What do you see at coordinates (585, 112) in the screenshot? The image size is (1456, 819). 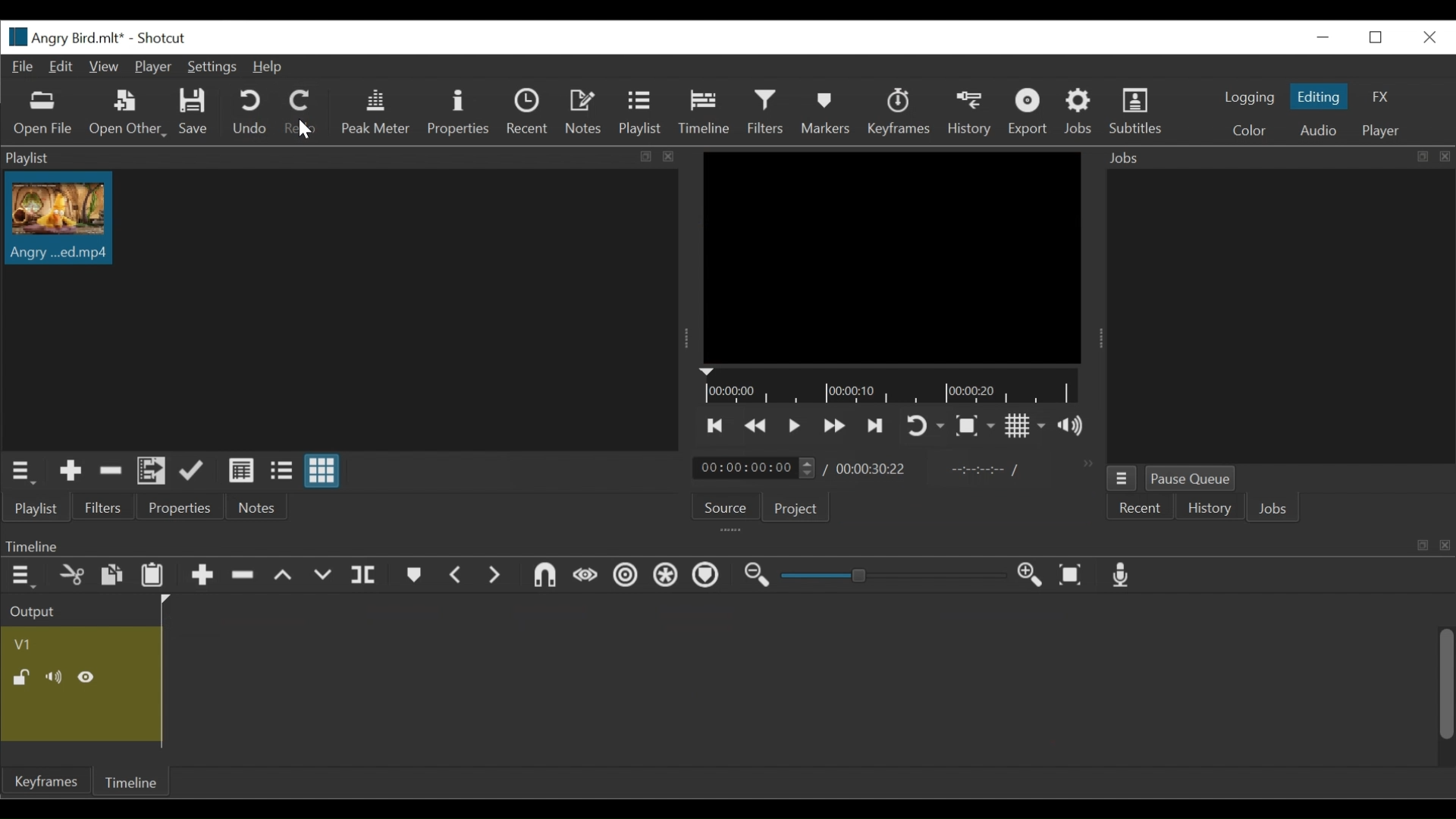 I see `Notes` at bounding box center [585, 112].